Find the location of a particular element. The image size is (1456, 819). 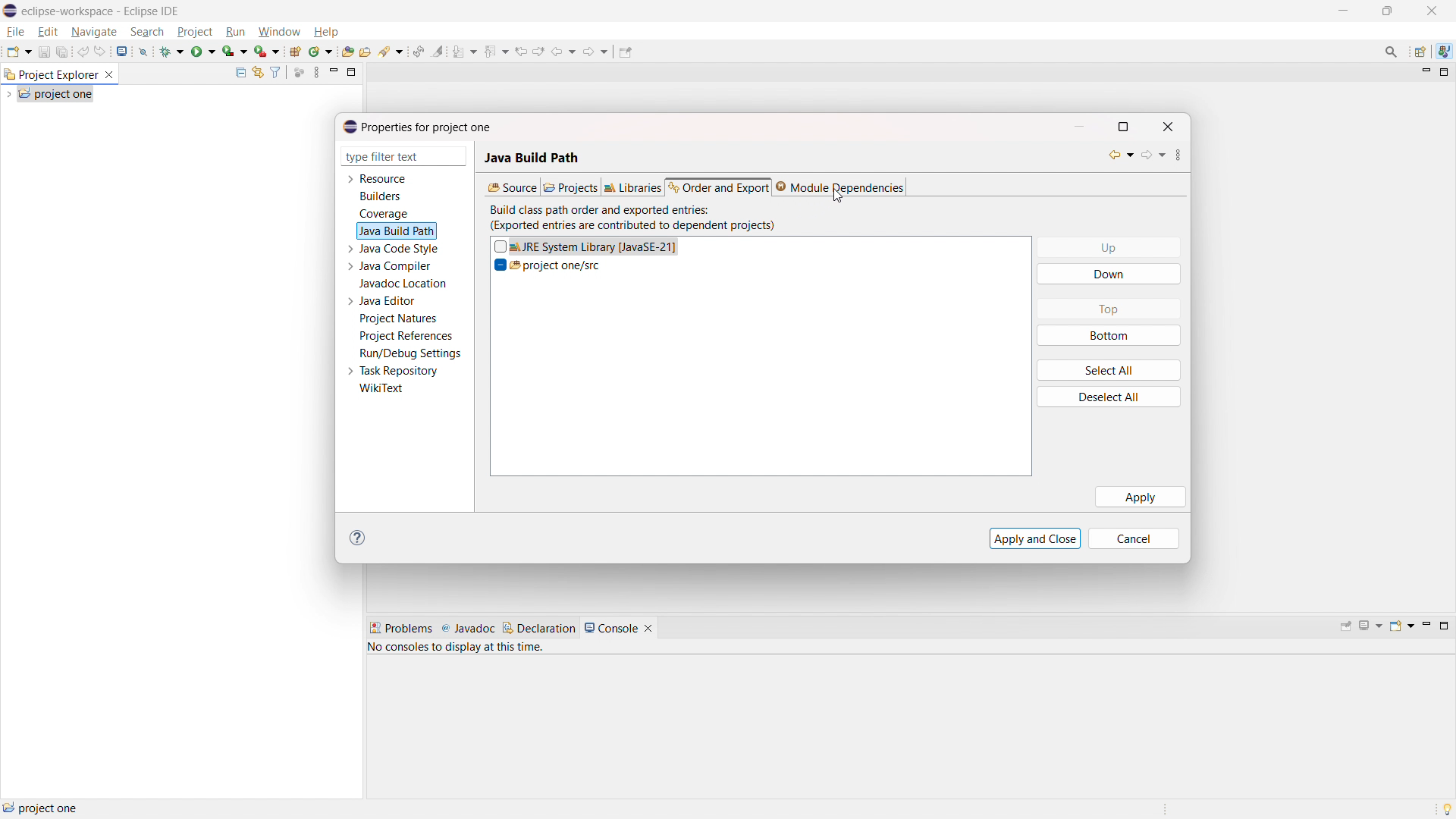

open console is located at coordinates (123, 52).